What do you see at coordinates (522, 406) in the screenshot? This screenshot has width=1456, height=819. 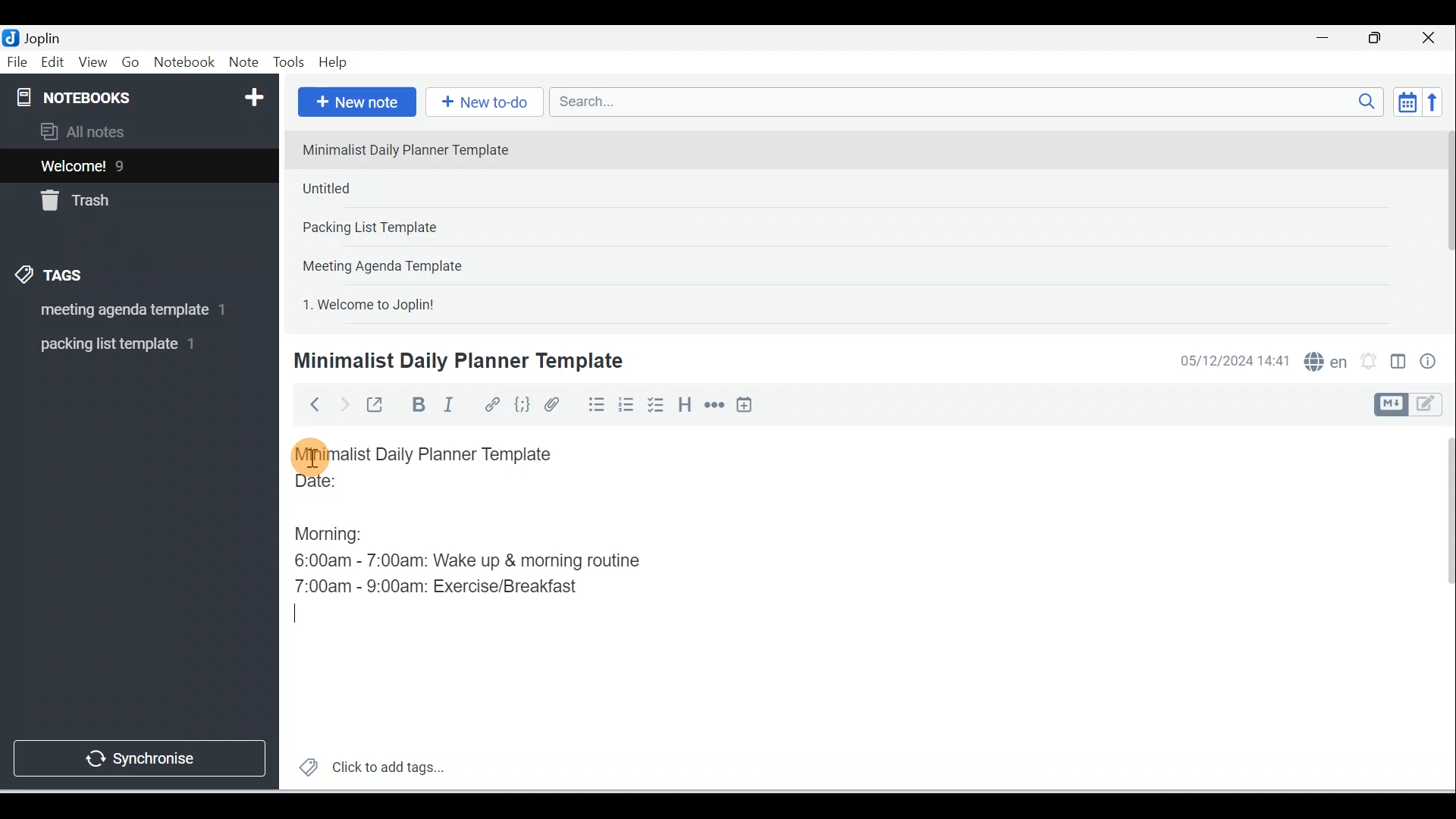 I see `Code` at bounding box center [522, 406].